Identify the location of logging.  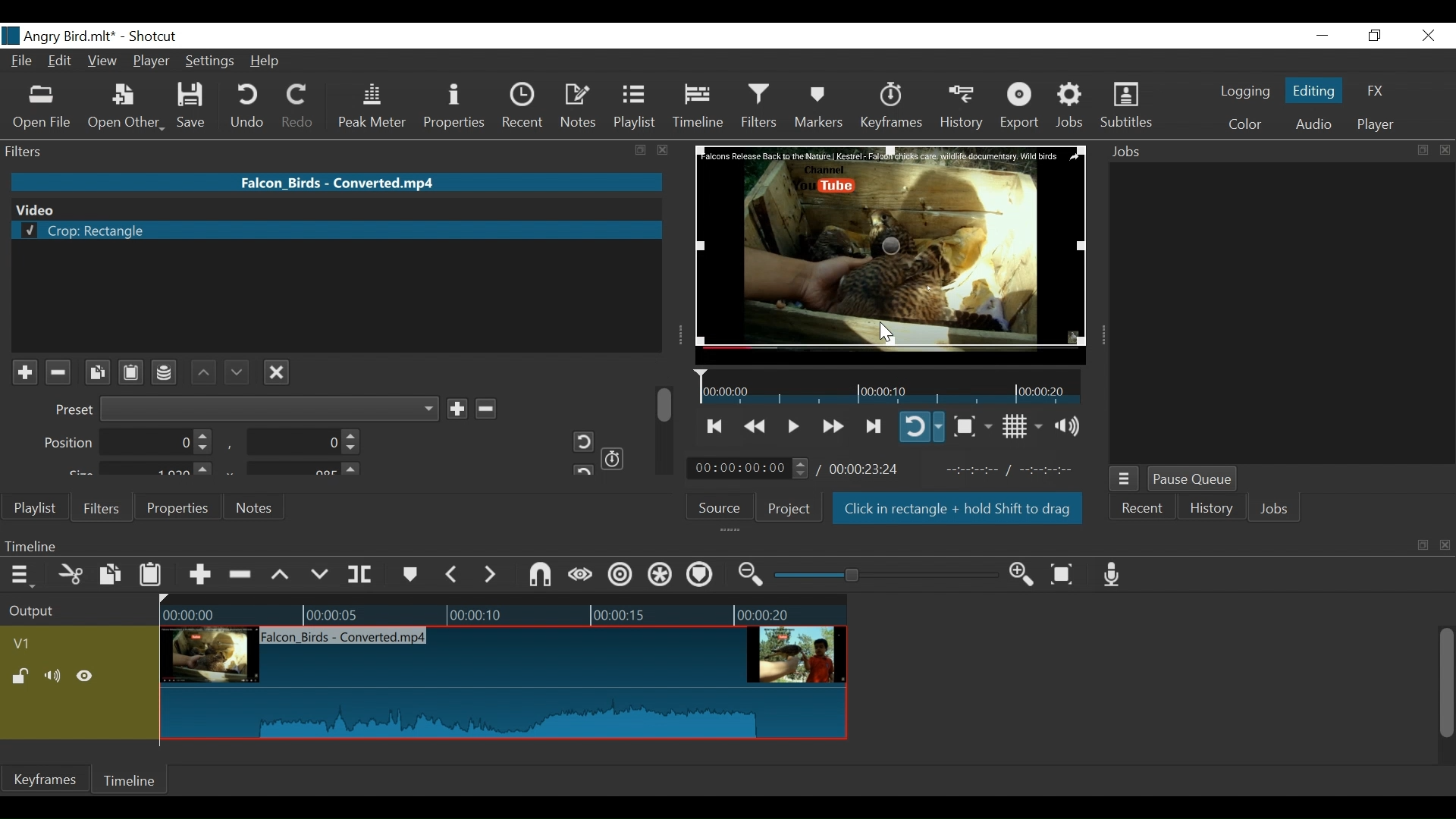
(1245, 93).